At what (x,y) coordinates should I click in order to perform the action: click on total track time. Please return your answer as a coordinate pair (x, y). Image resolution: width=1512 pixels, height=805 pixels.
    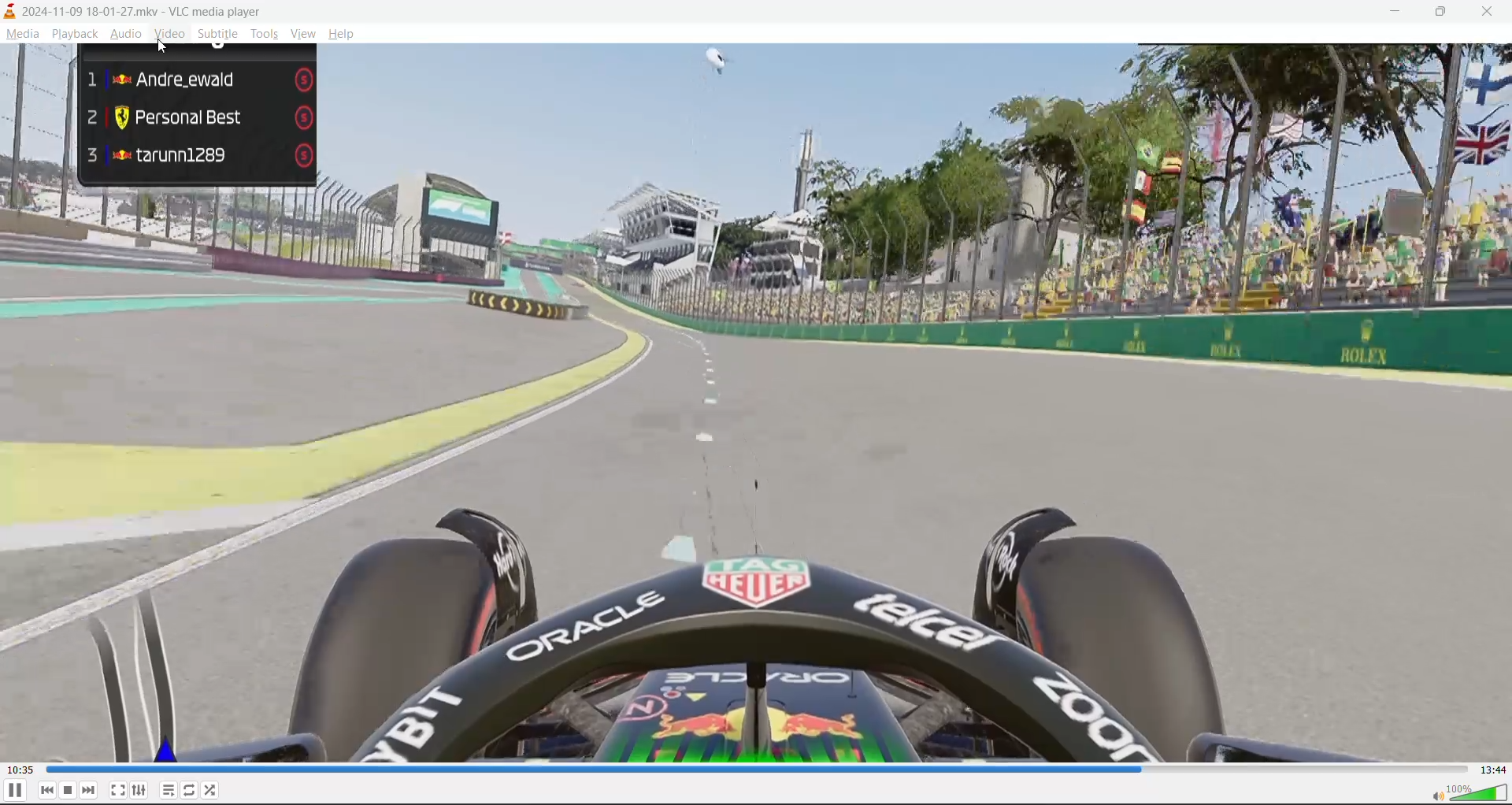
    Looking at the image, I should click on (1493, 770).